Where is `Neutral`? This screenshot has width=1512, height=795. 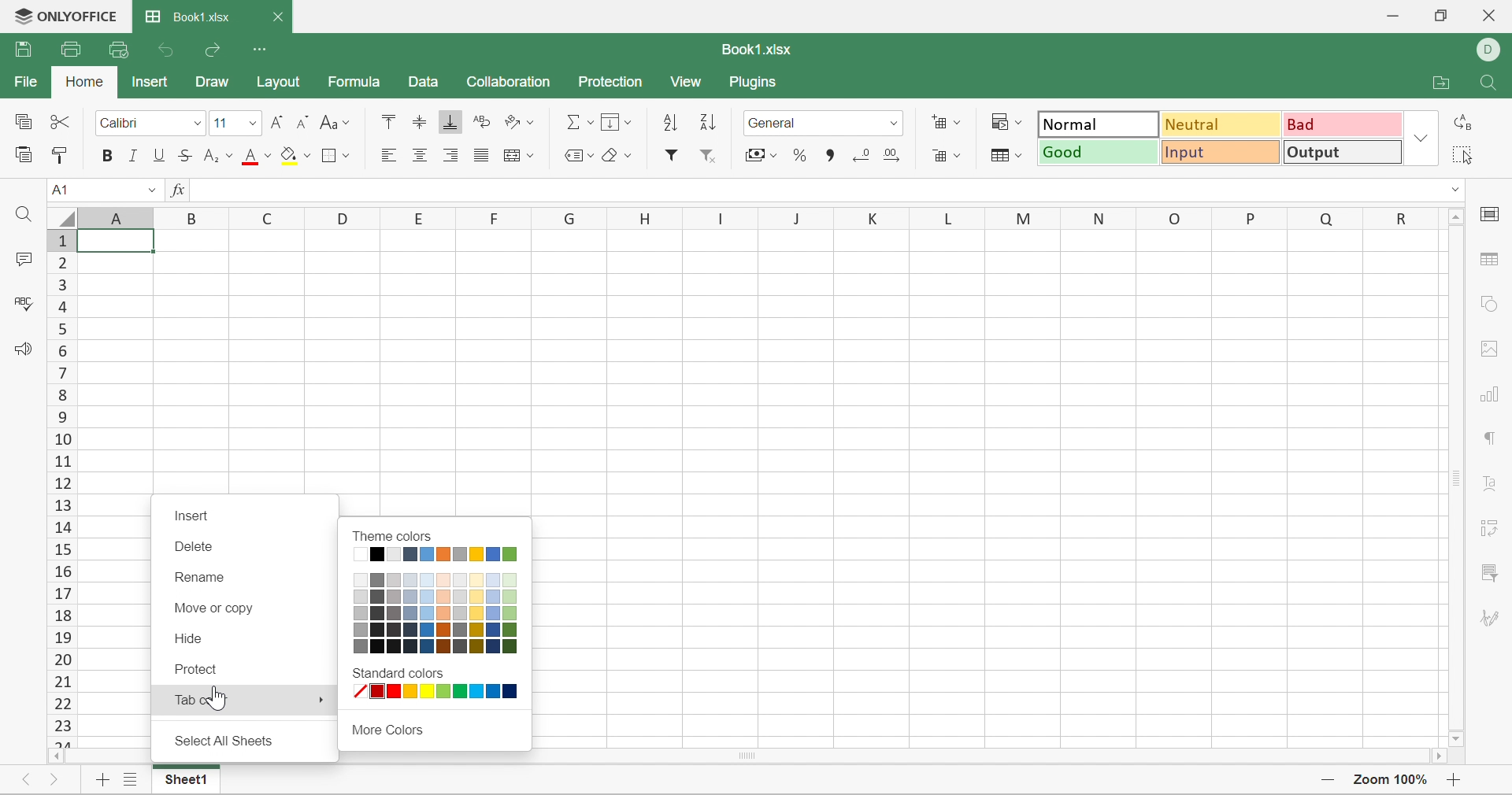
Neutral is located at coordinates (1223, 124).